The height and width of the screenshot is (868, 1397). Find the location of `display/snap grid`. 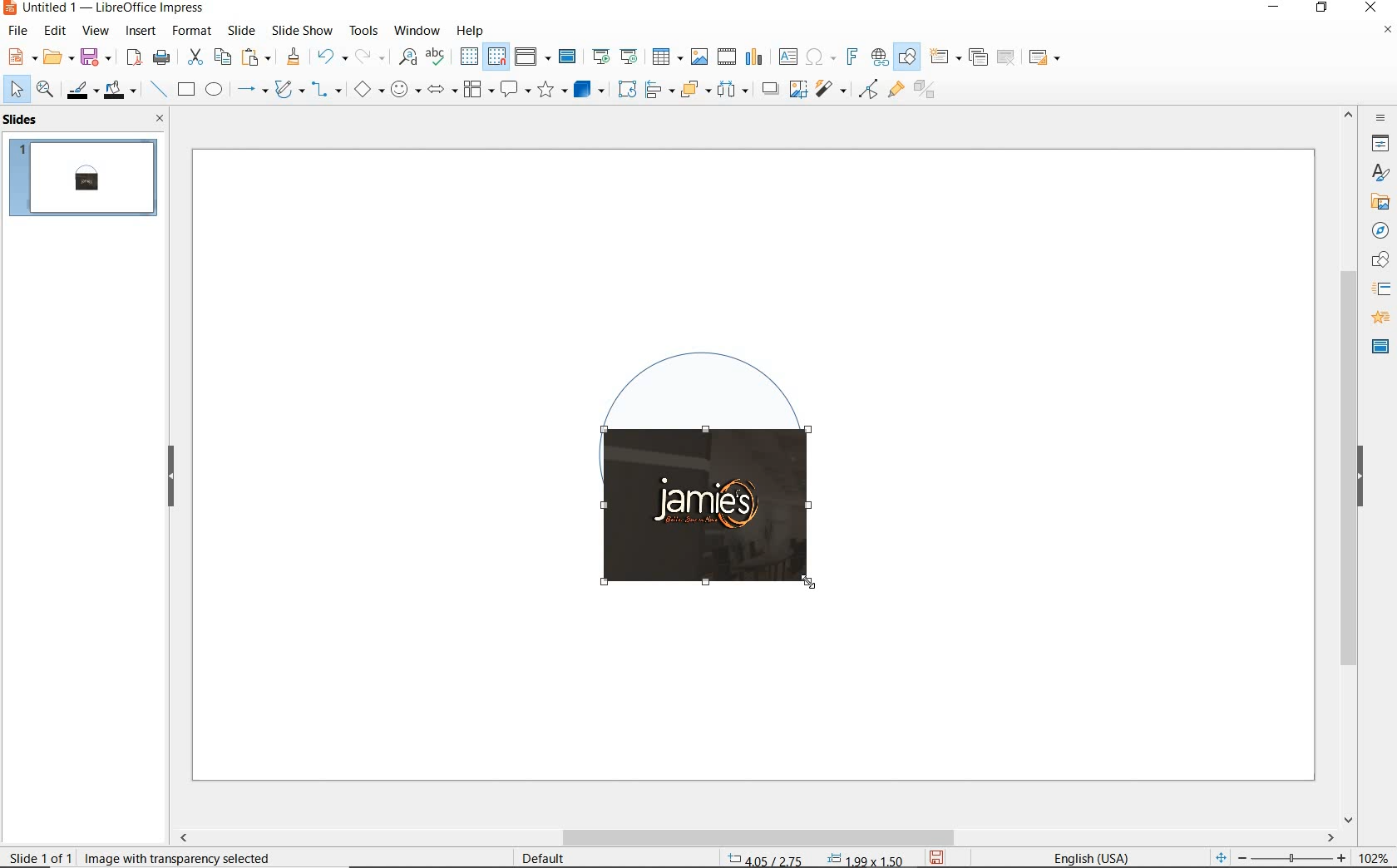

display/snap grid is located at coordinates (481, 57).